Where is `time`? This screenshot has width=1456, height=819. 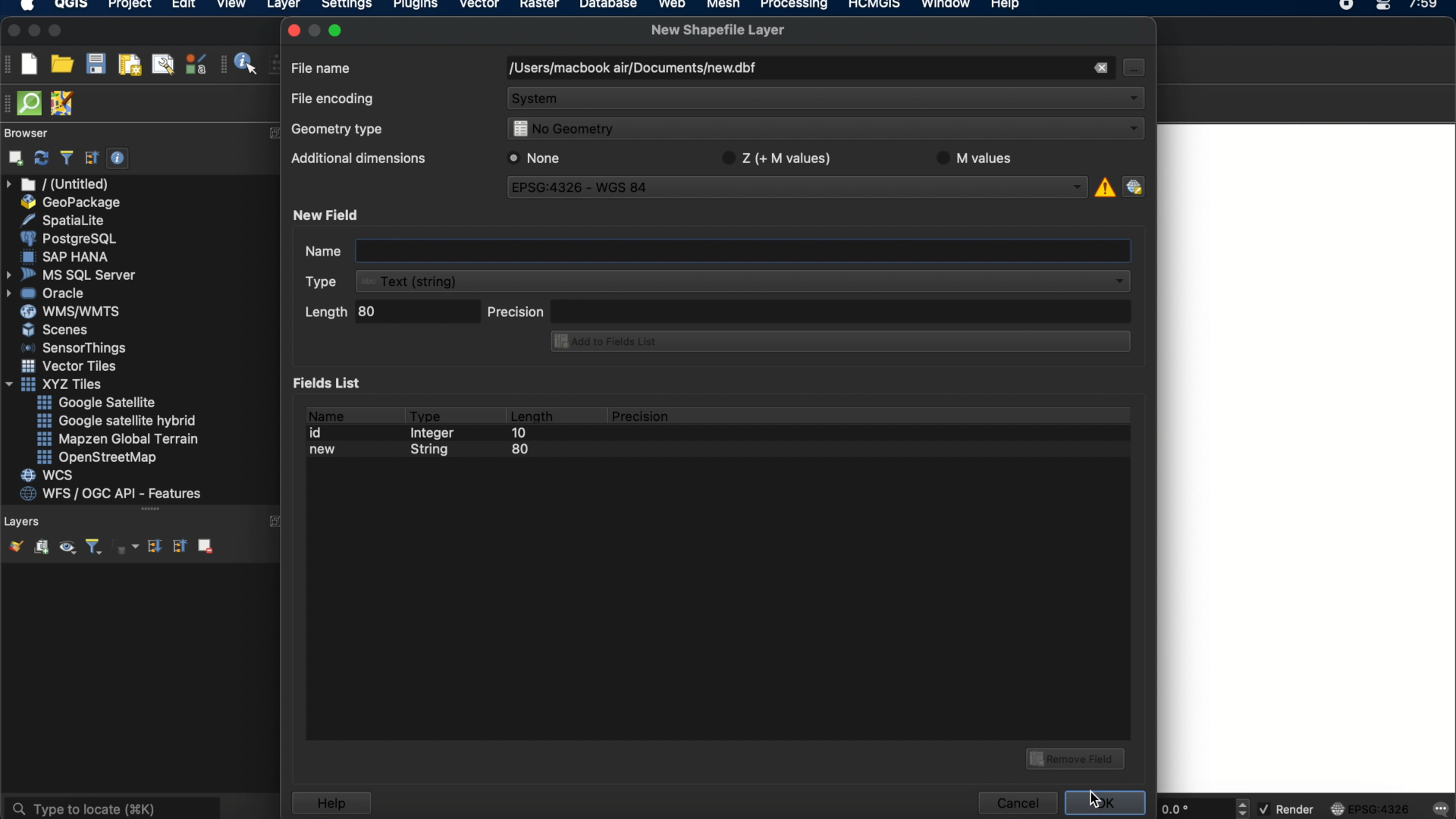 time is located at coordinates (1425, 9).